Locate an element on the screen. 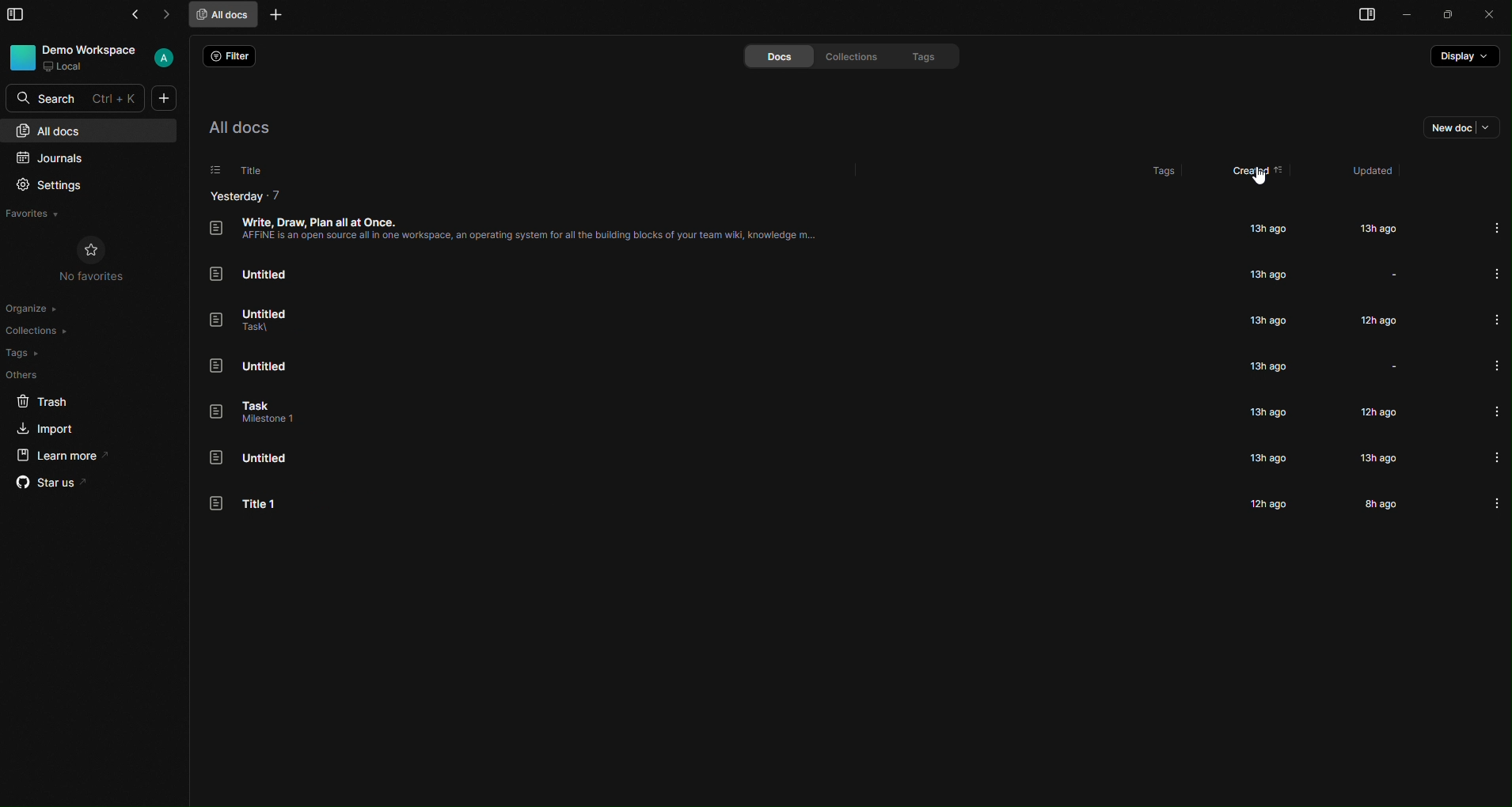  Untitled is located at coordinates (248, 413).